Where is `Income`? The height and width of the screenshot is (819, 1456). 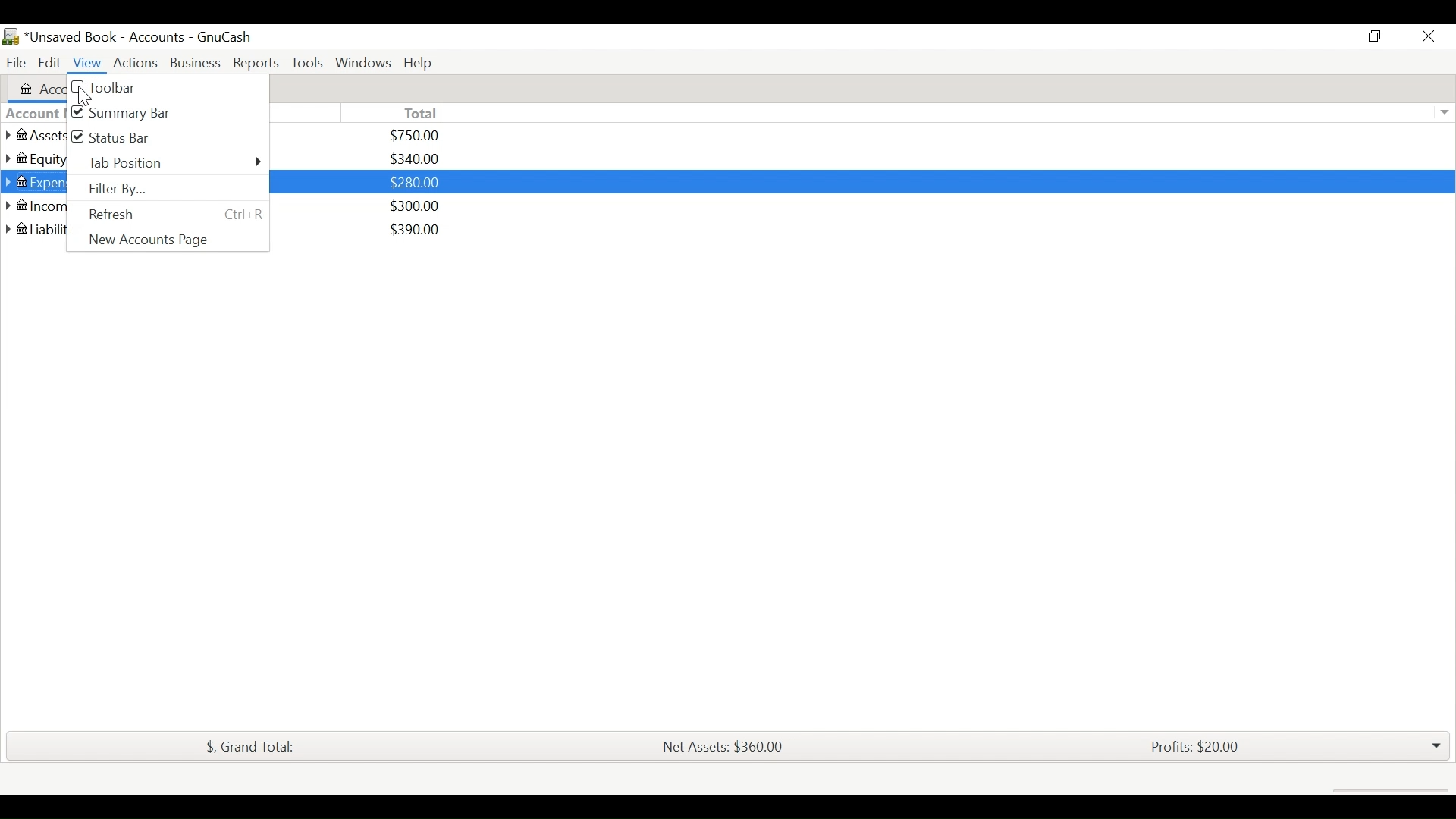 Income is located at coordinates (34, 206).